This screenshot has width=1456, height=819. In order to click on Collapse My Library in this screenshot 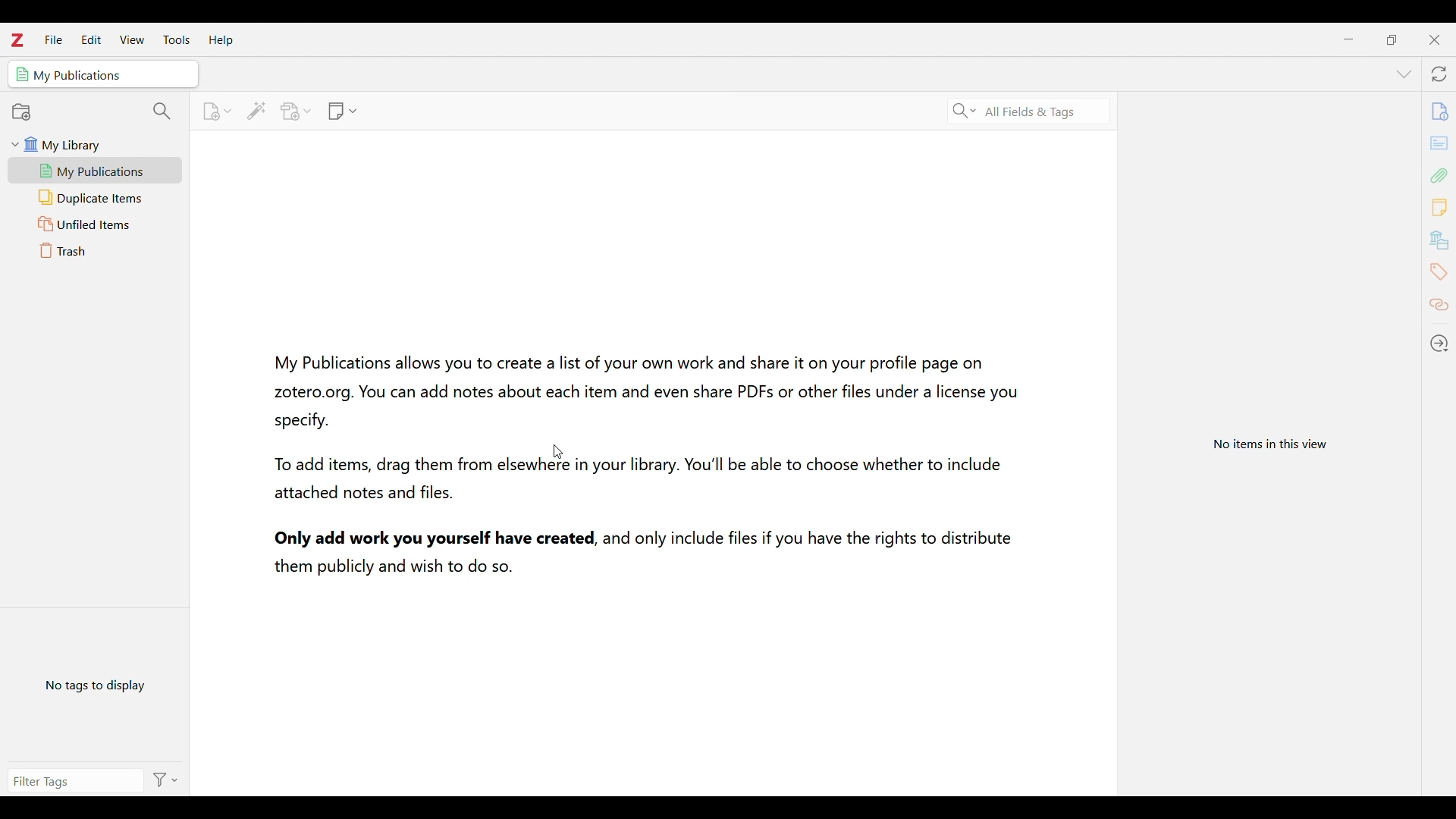, I will do `click(15, 144)`.